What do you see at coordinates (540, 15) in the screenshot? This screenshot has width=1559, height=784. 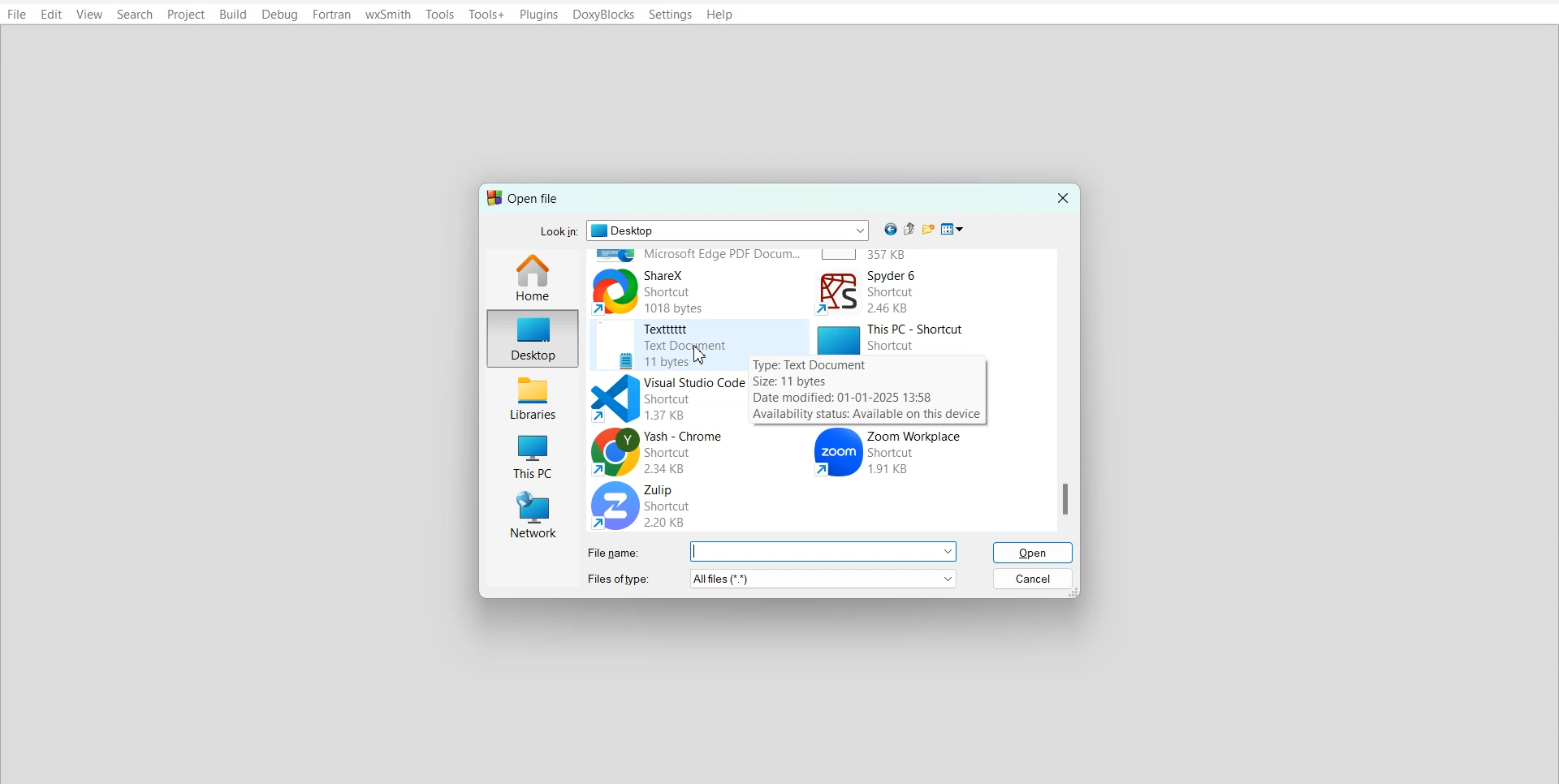 I see `Plugins` at bounding box center [540, 15].